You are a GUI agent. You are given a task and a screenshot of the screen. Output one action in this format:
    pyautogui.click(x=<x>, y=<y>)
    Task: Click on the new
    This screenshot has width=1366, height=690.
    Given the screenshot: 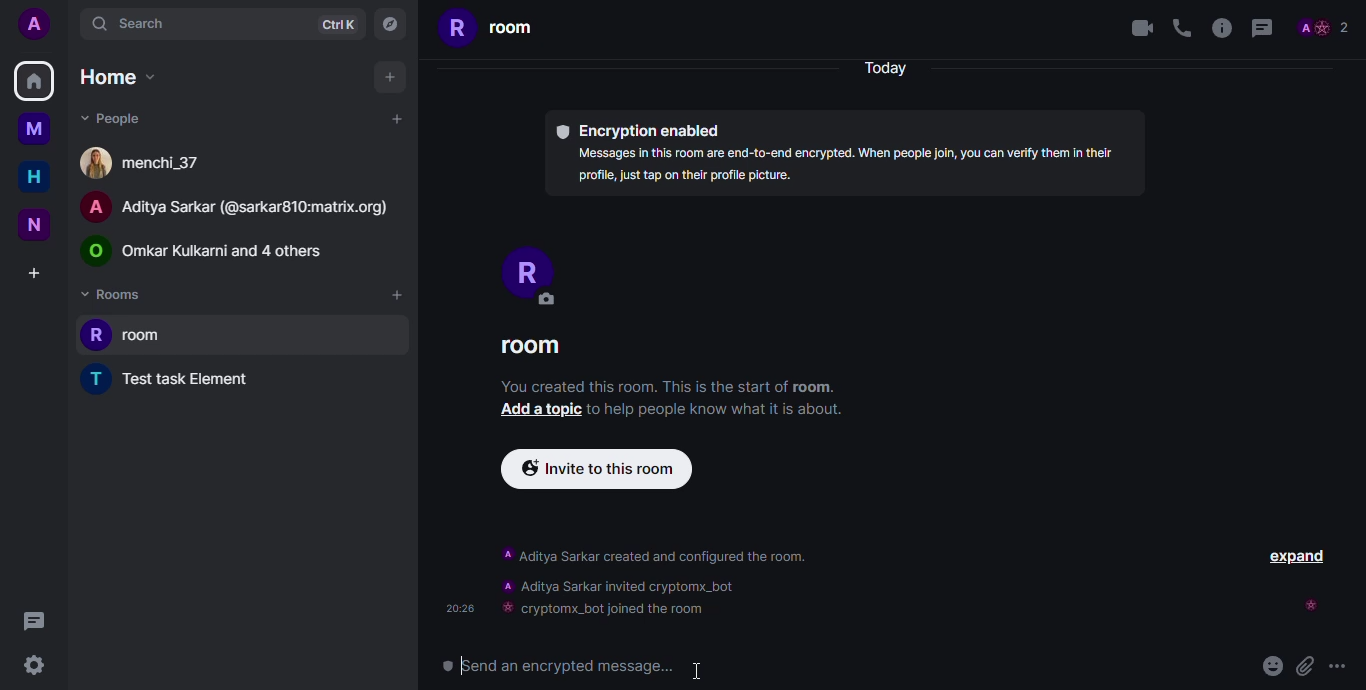 What is the action you would take?
    pyautogui.click(x=35, y=223)
    